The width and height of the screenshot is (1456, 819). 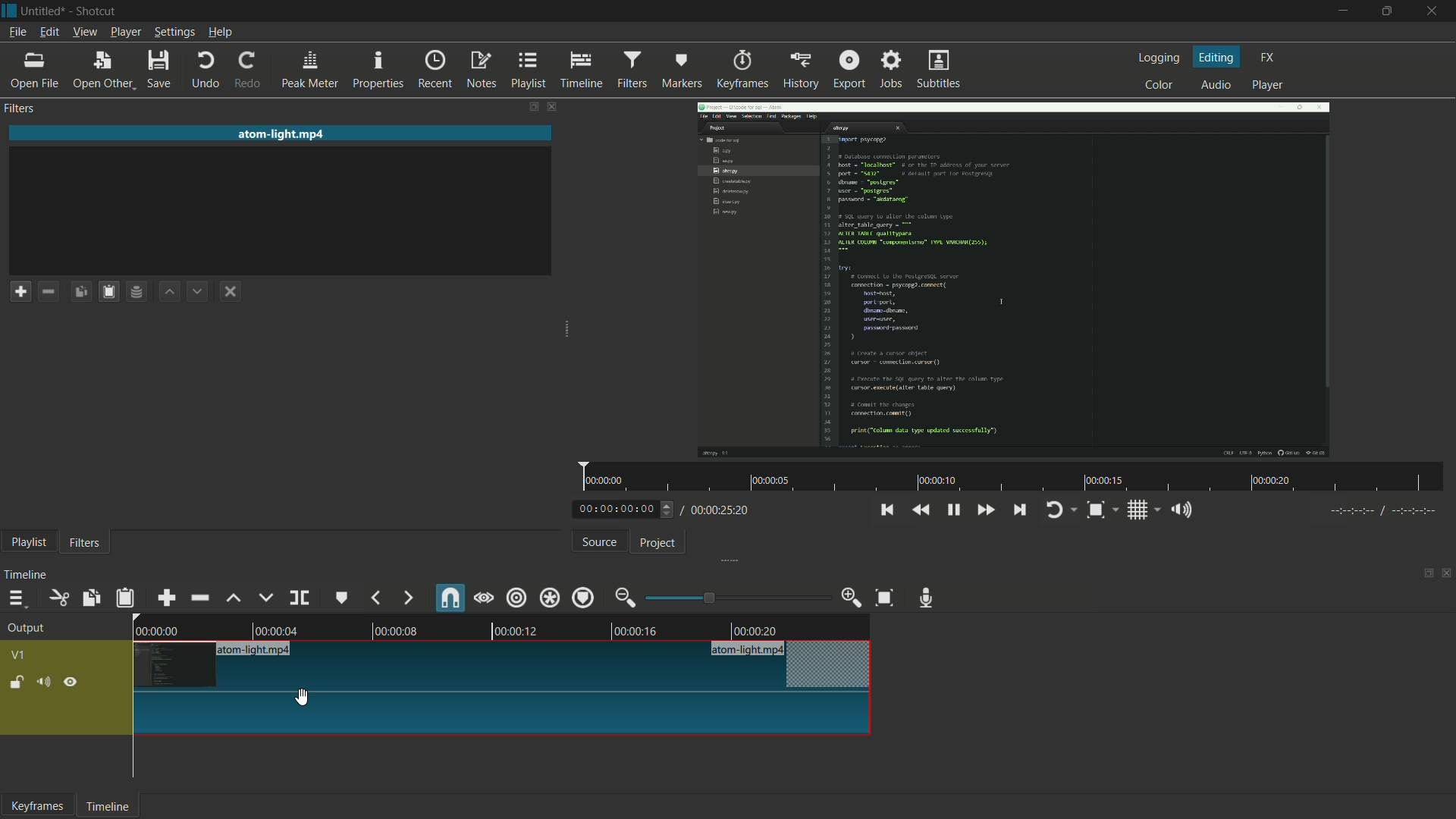 What do you see at coordinates (20, 291) in the screenshot?
I see `add a filter` at bounding box center [20, 291].